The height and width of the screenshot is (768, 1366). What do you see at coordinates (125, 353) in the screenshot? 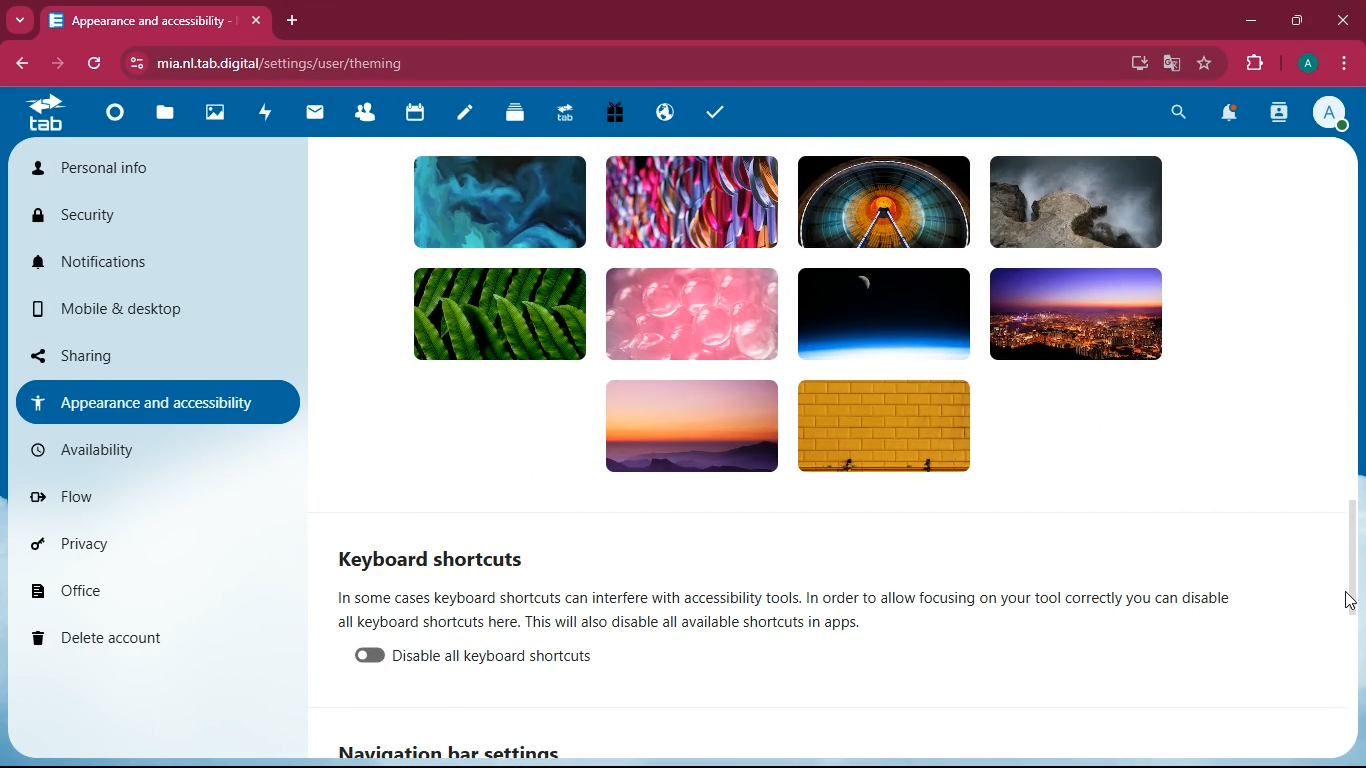
I see `sharing` at bounding box center [125, 353].